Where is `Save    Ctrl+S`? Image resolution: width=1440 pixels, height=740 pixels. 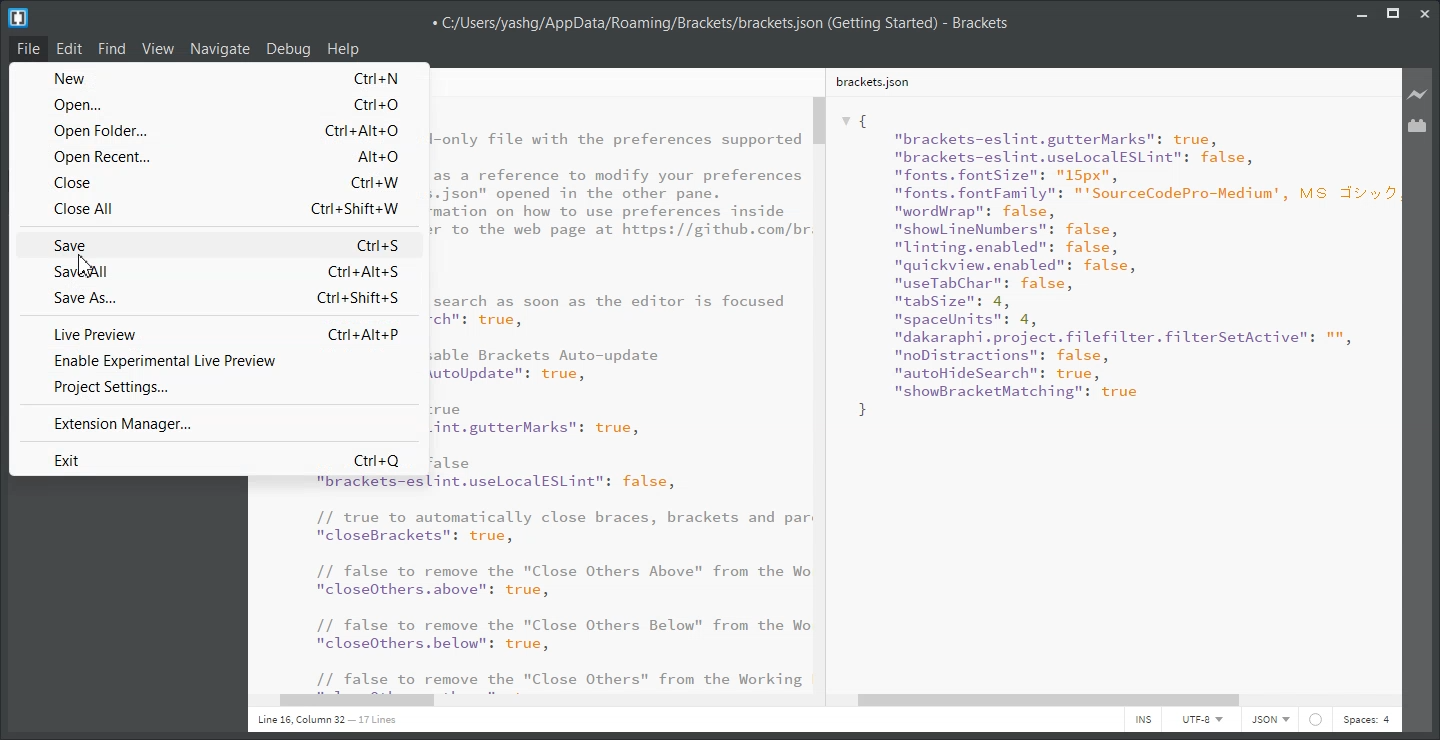
Save    Ctrl+S is located at coordinates (220, 245).